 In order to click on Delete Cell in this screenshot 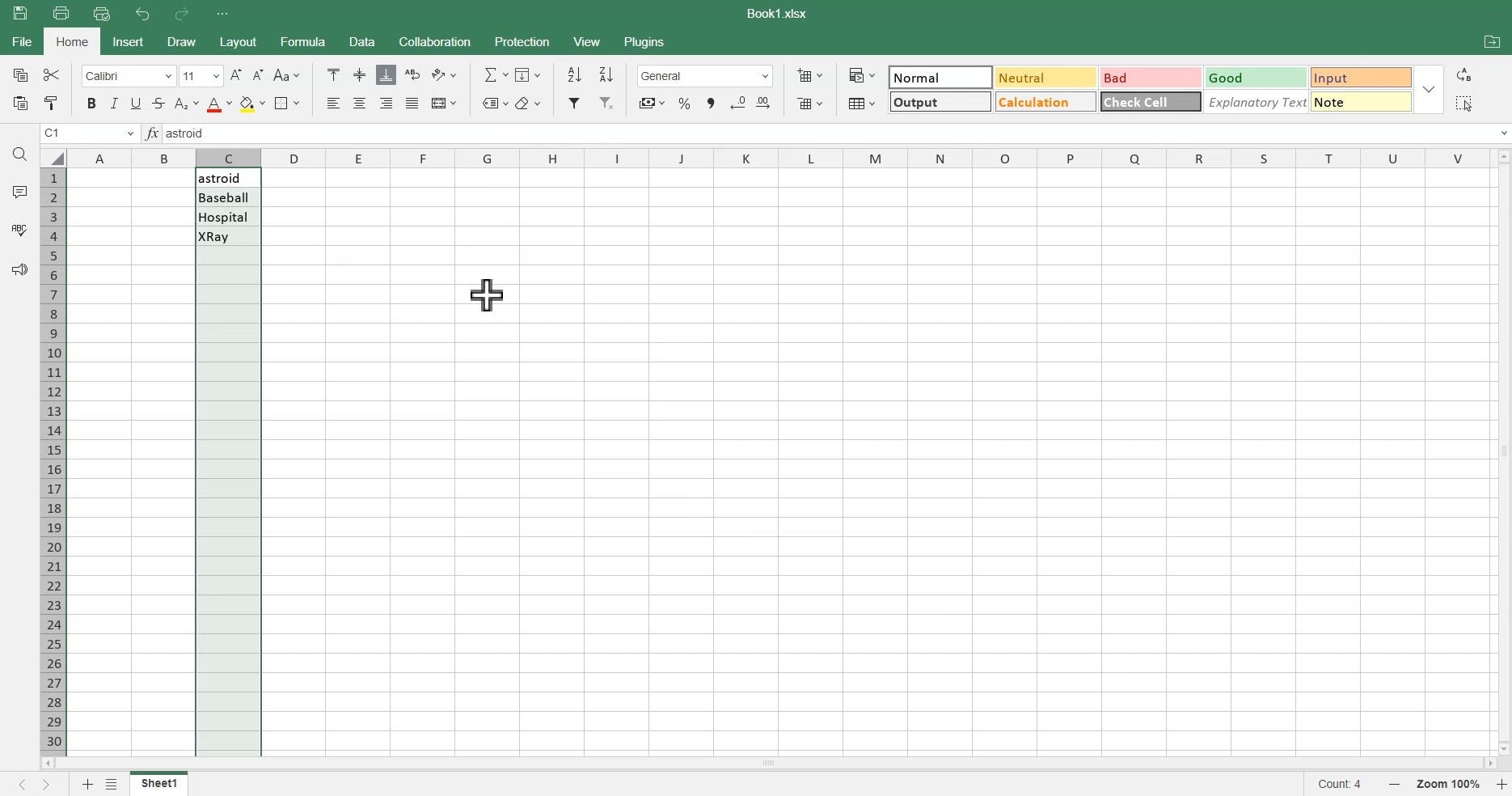, I will do `click(809, 103)`.